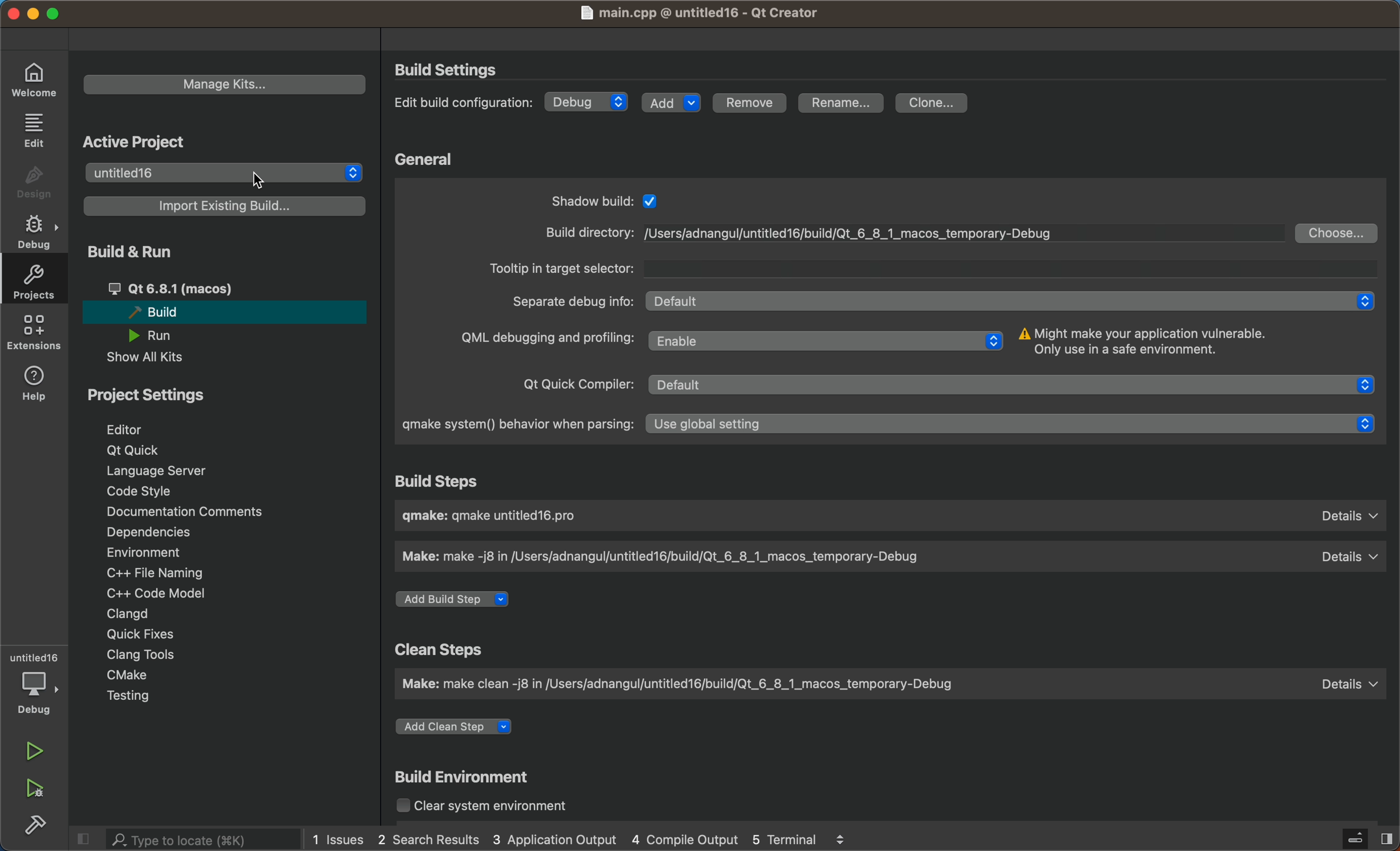 Image resolution: width=1400 pixels, height=851 pixels. I want to click on project settings, so click(227, 547).